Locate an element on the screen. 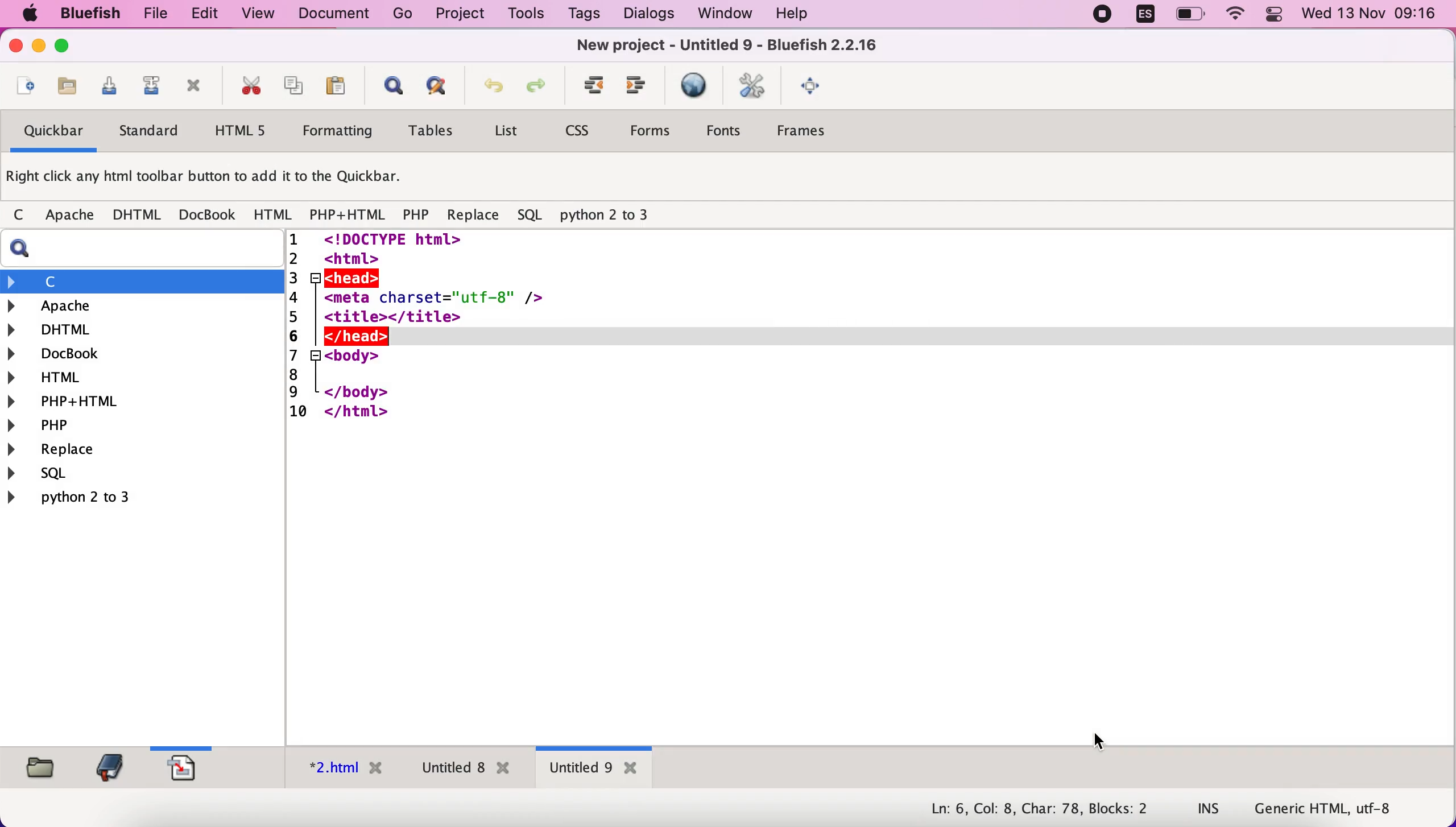 The width and height of the screenshot is (1456, 827). new project is located at coordinates (750, 44).